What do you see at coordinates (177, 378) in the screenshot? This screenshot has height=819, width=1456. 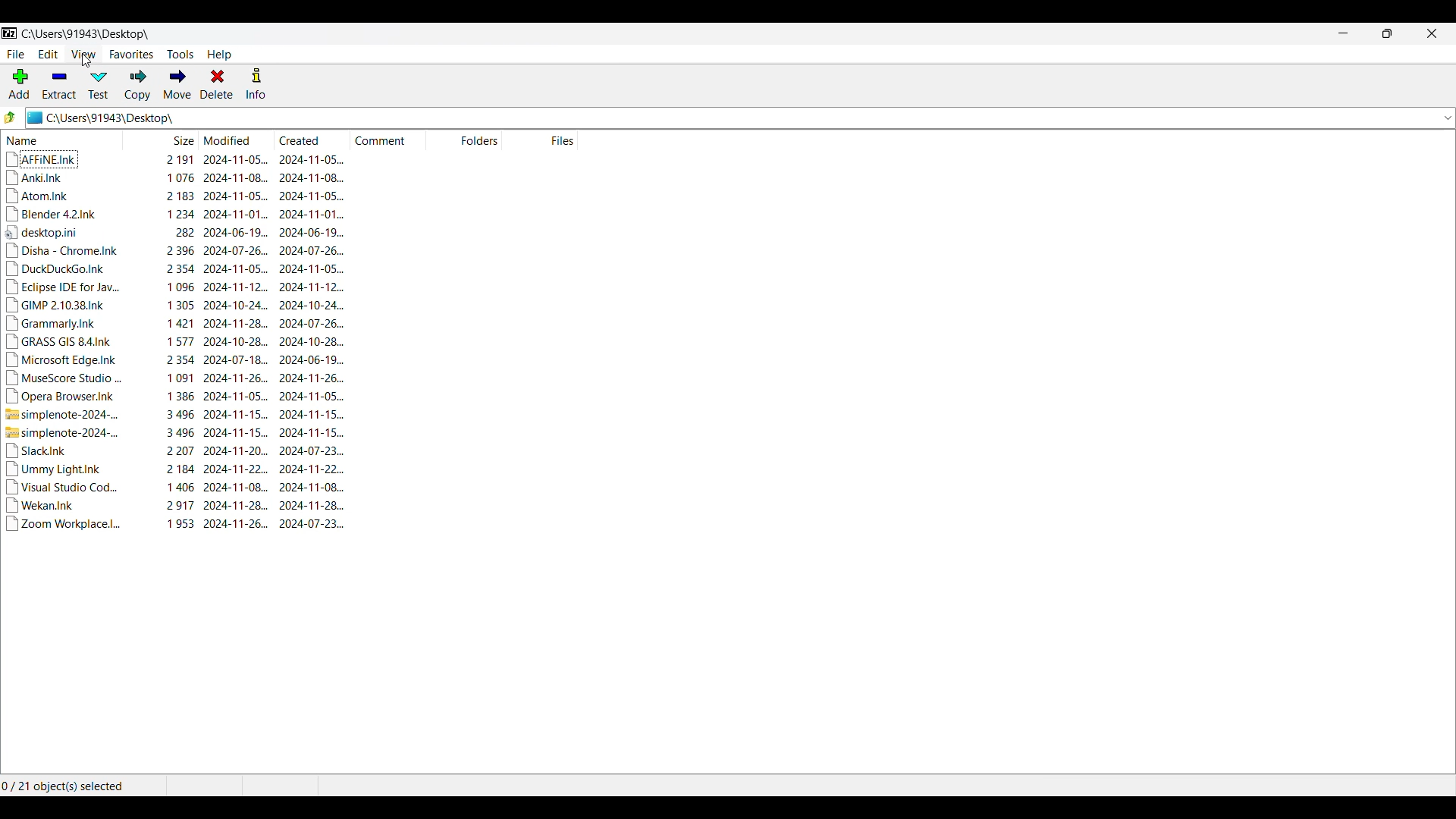 I see `MuseScore Studio ... 1091 2024-11-26... 2024-11-26...` at bounding box center [177, 378].